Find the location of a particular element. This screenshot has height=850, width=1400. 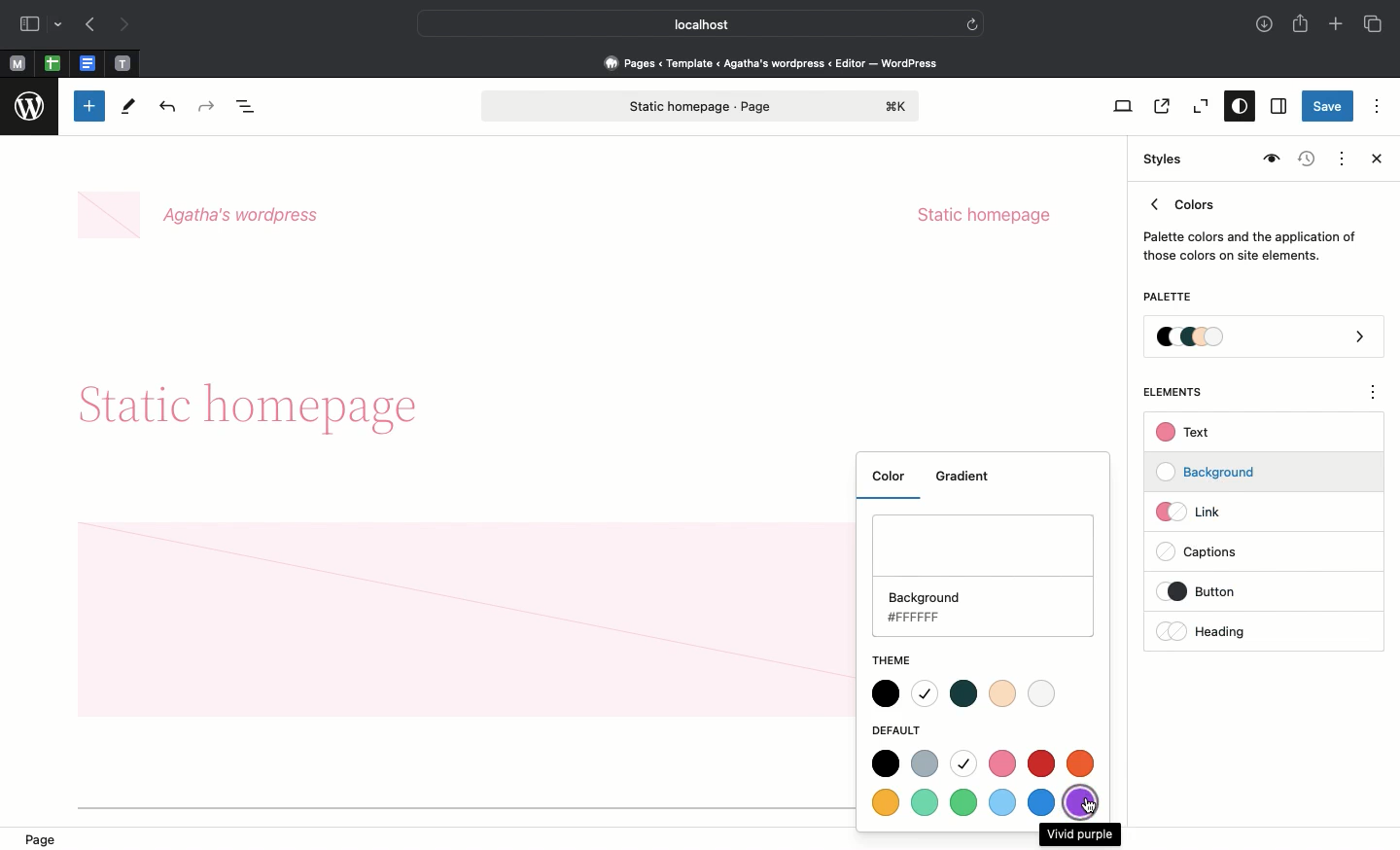

Actions is located at coordinates (1340, 157).